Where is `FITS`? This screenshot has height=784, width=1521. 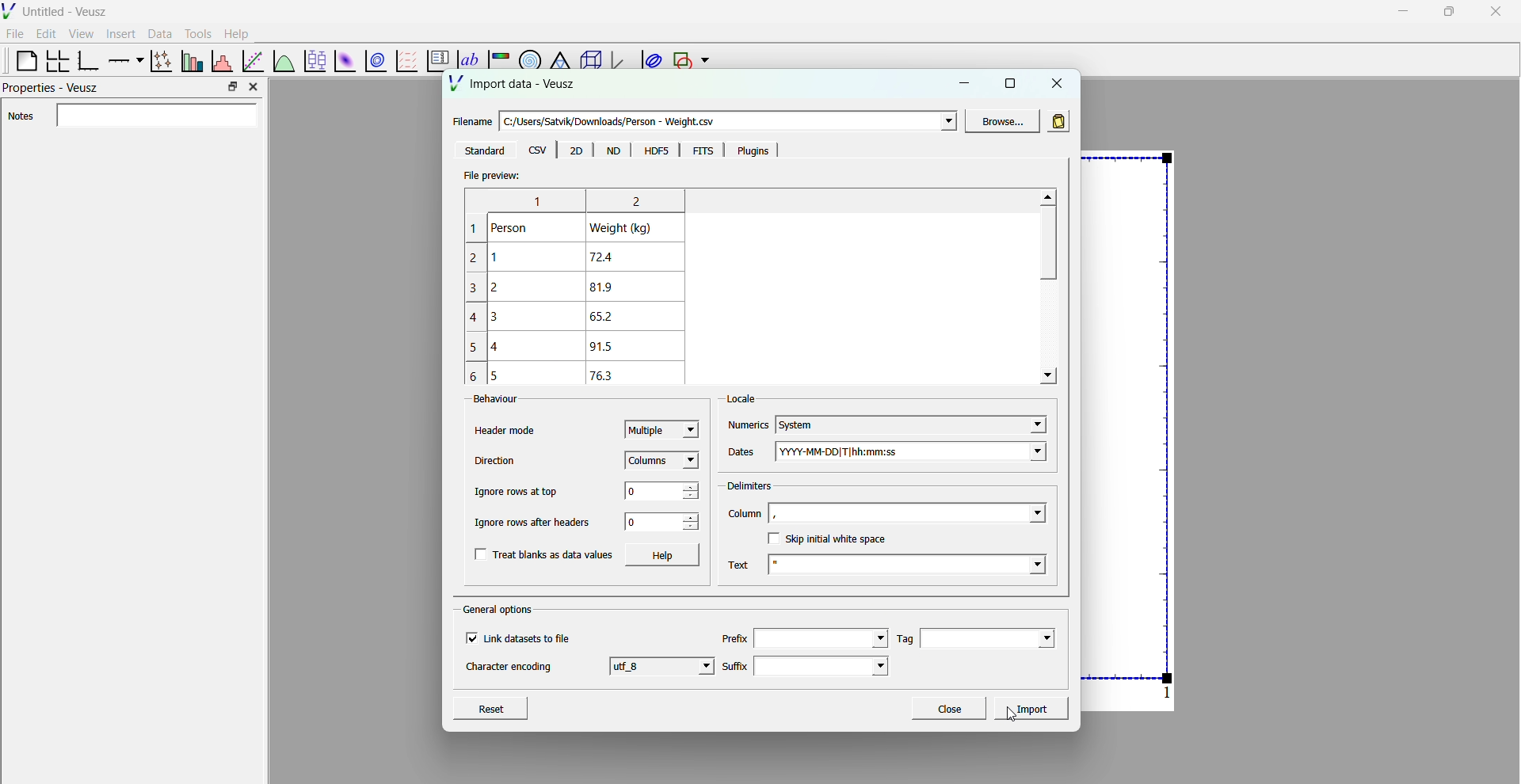
FITS is located at coordinates (699, 150).